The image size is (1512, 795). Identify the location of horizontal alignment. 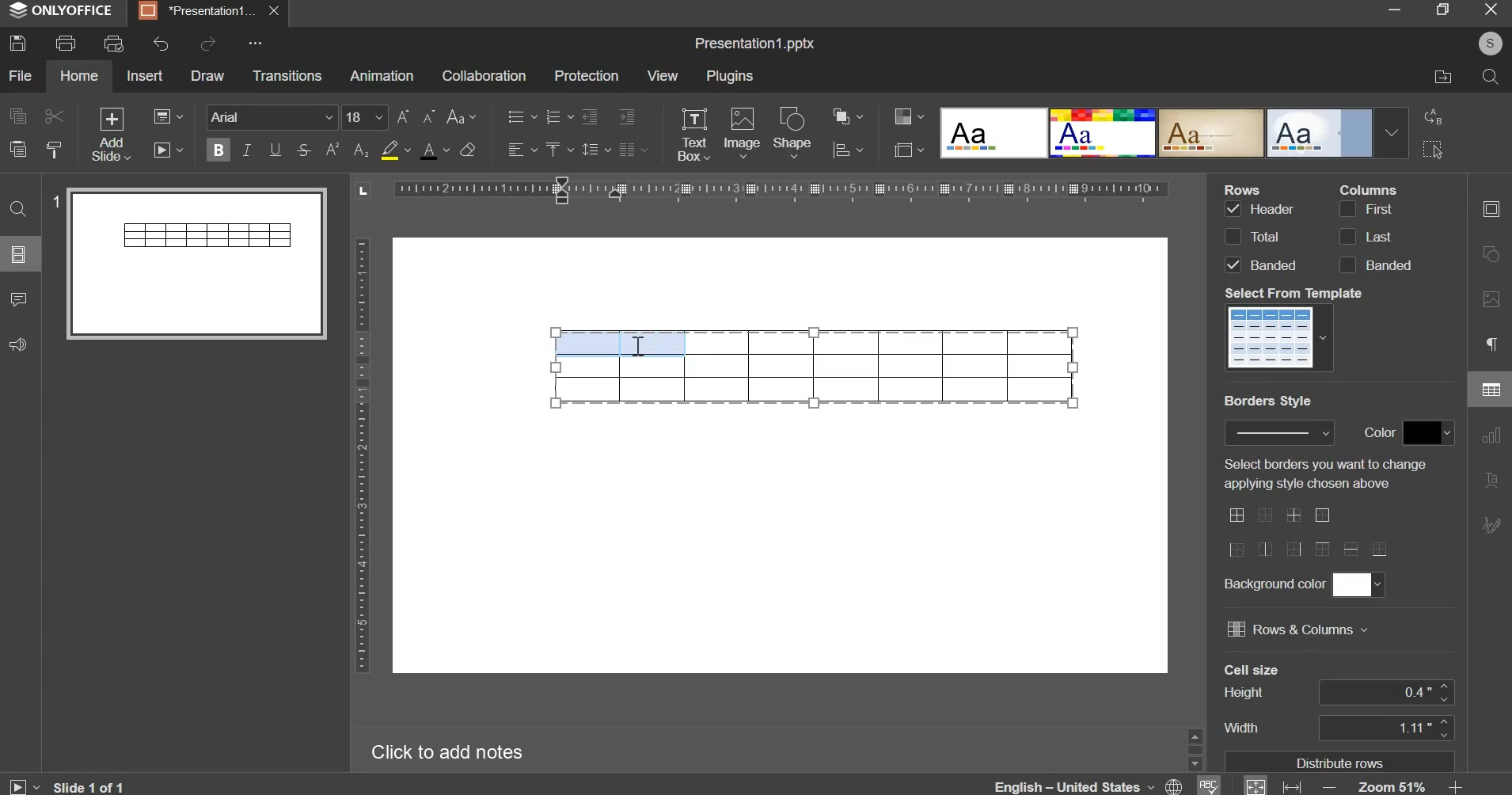
(521, 150).